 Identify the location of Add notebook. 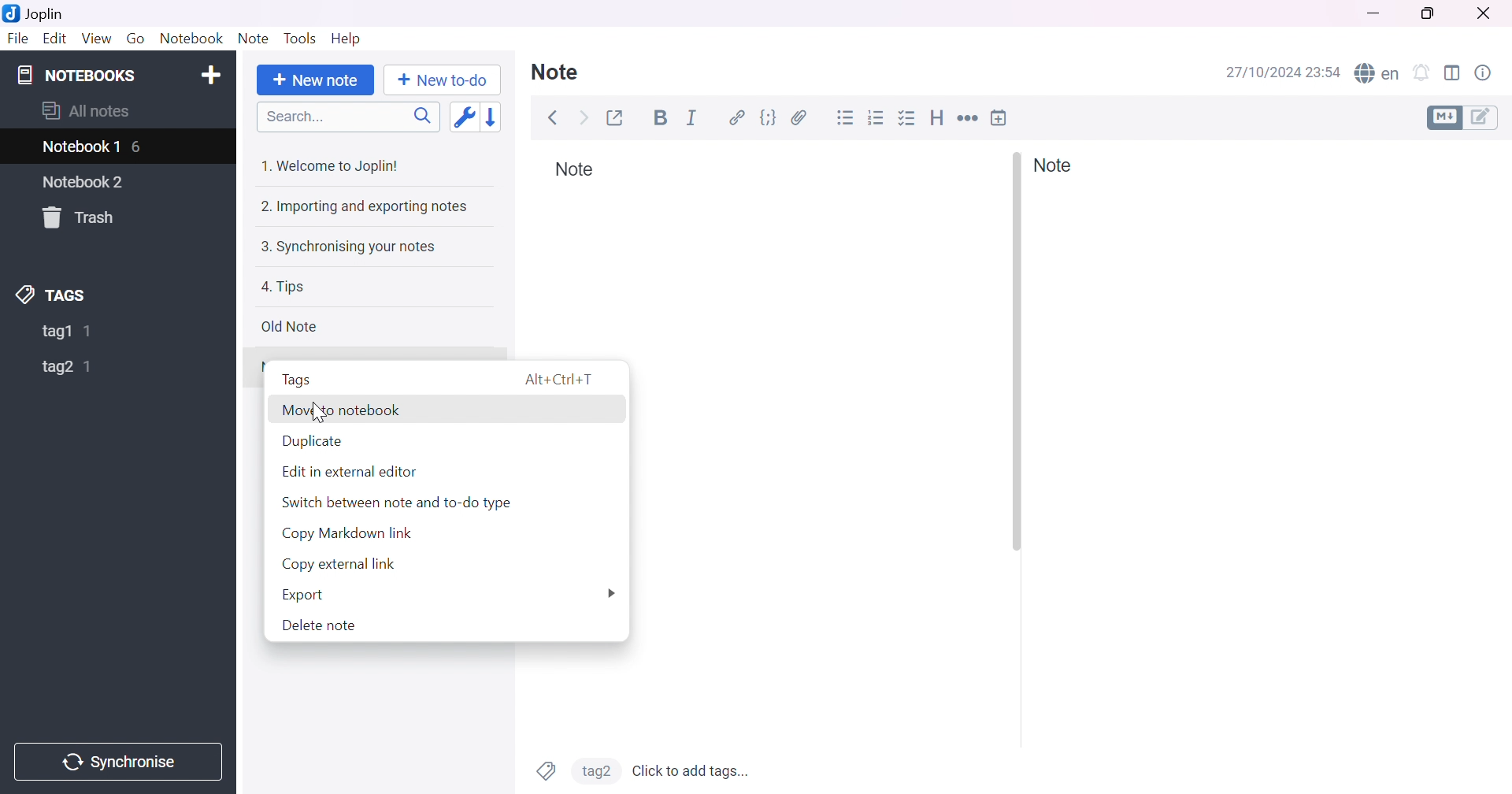
(212, 74).